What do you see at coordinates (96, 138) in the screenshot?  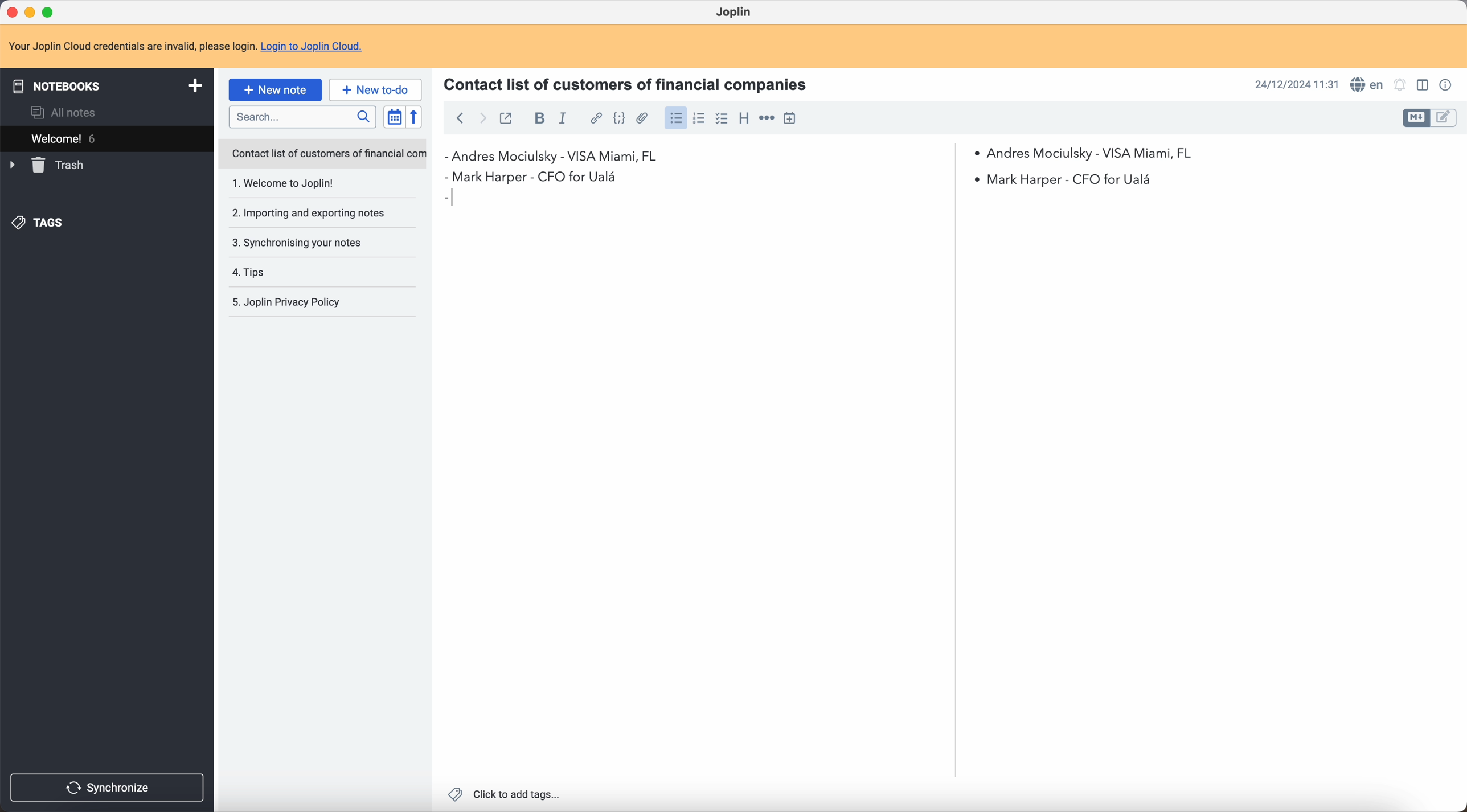 I see `welcome` at bounding box center [96, 138].